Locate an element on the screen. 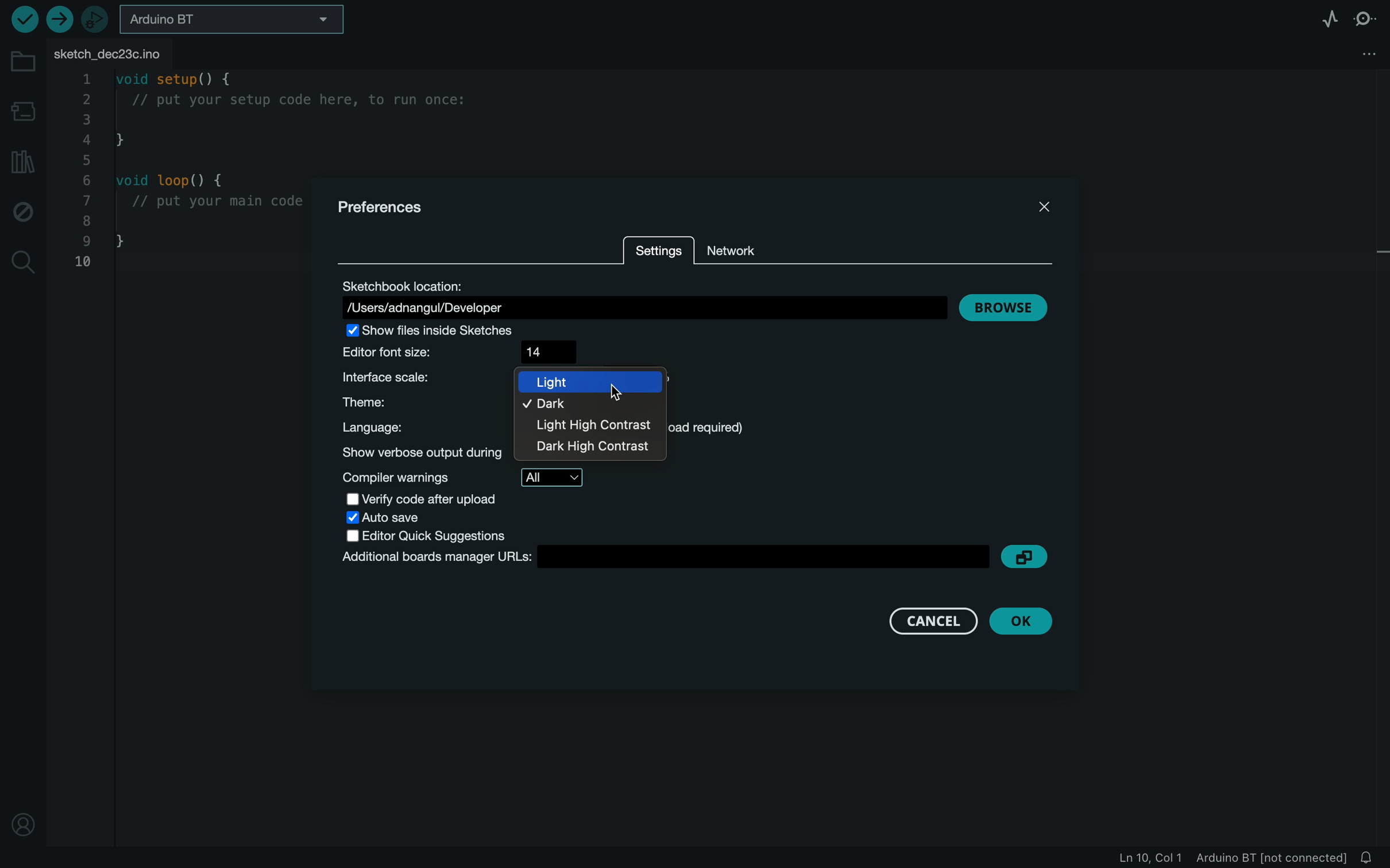 The width and height of the screenshot is (1390, 868). profile is located at coordinates (27, 824).